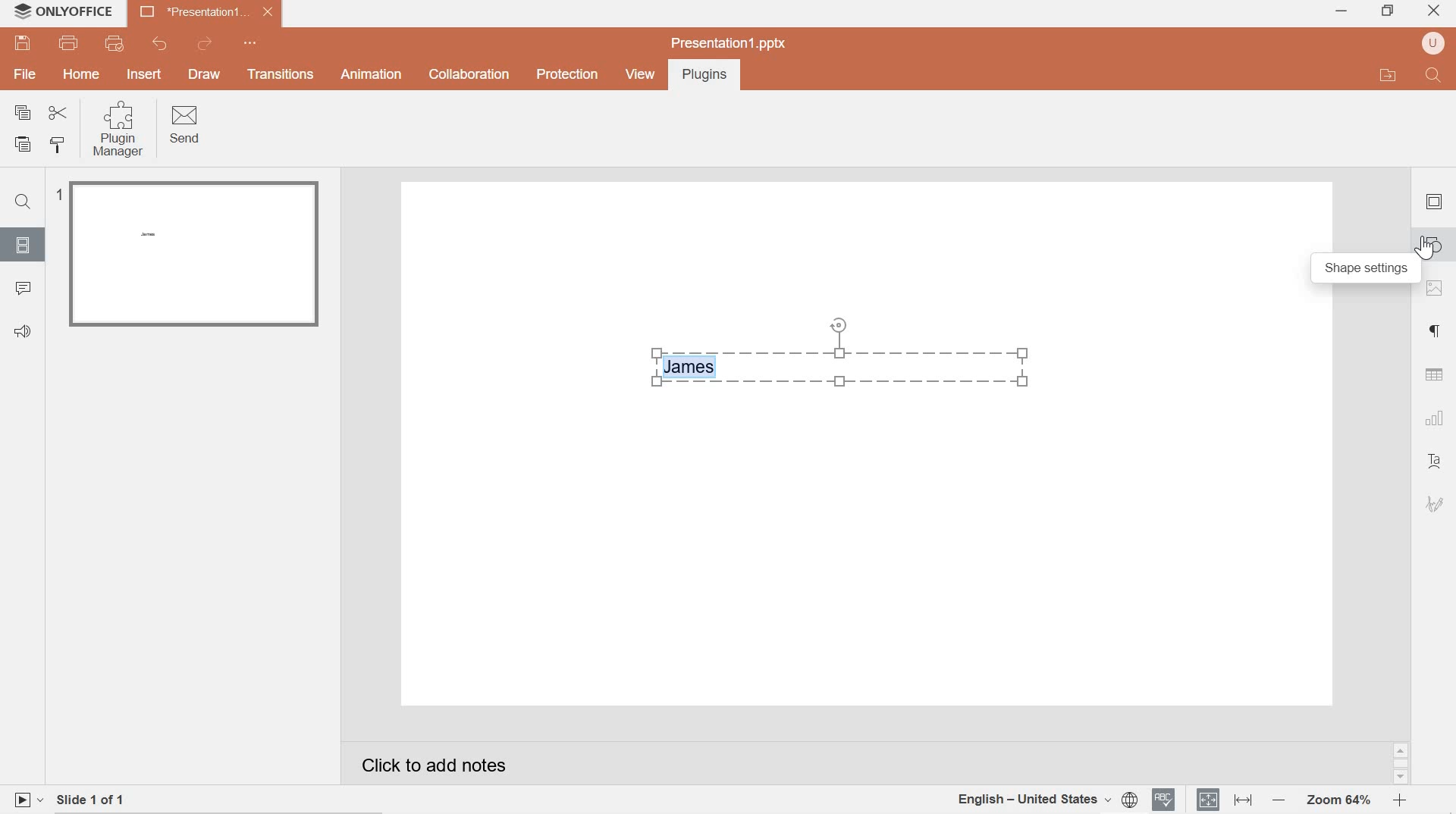  What do you see at coordinates (26, 203) in the screenshot?
I see `Find` at bounding box center [26, 203].